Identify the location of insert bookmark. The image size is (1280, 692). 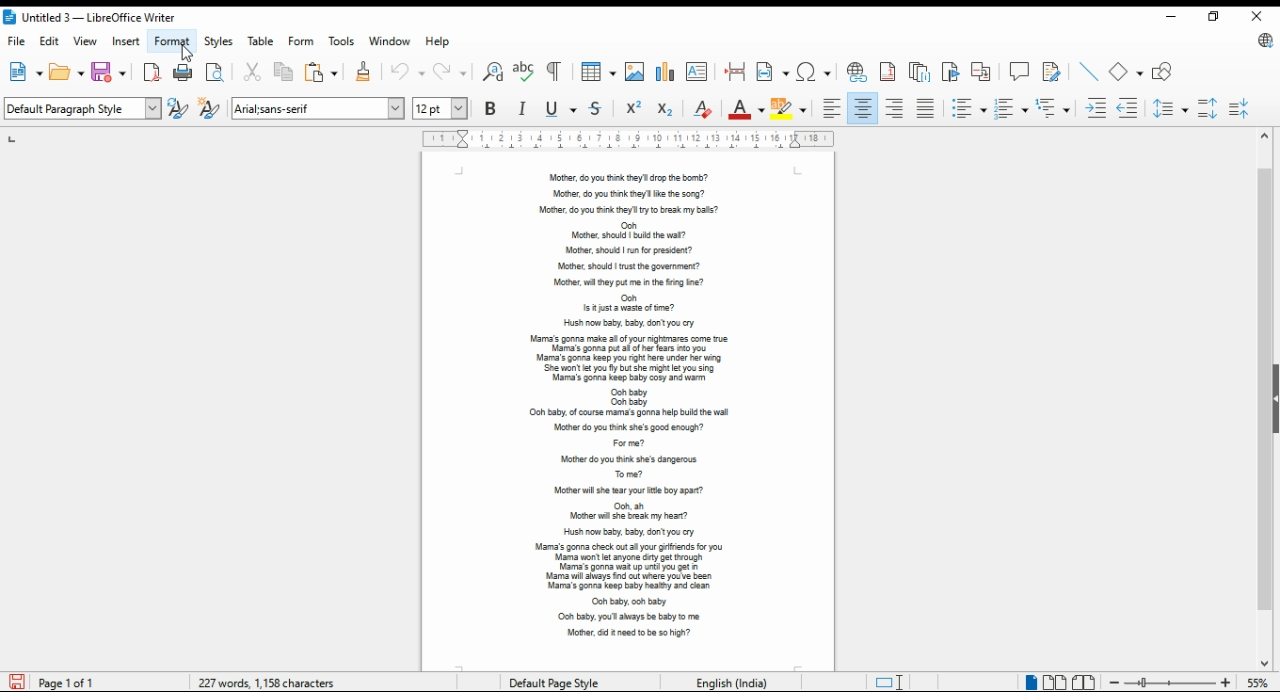
(950, 72).